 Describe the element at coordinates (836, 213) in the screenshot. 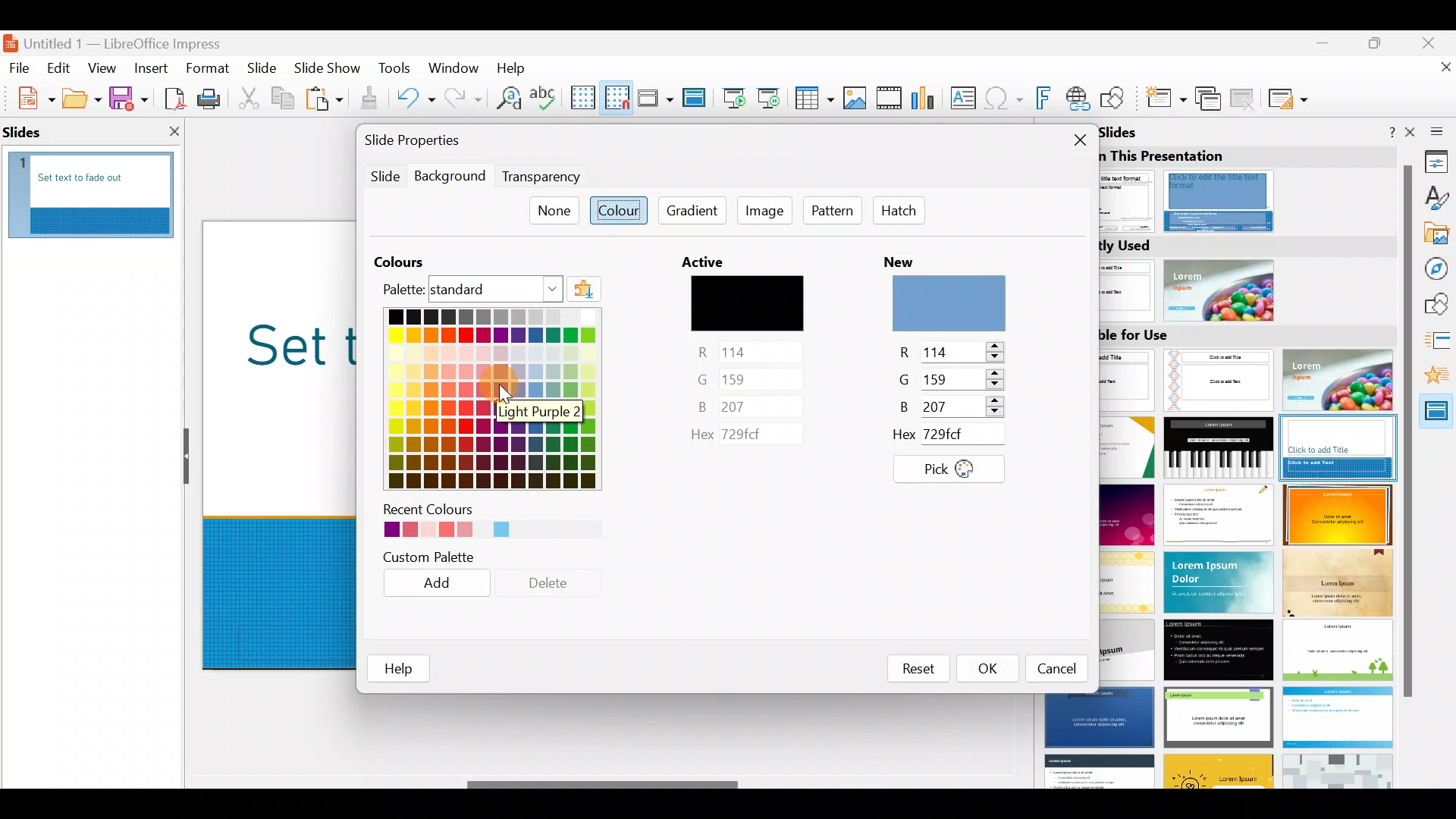

I see `Pattern` at that location.